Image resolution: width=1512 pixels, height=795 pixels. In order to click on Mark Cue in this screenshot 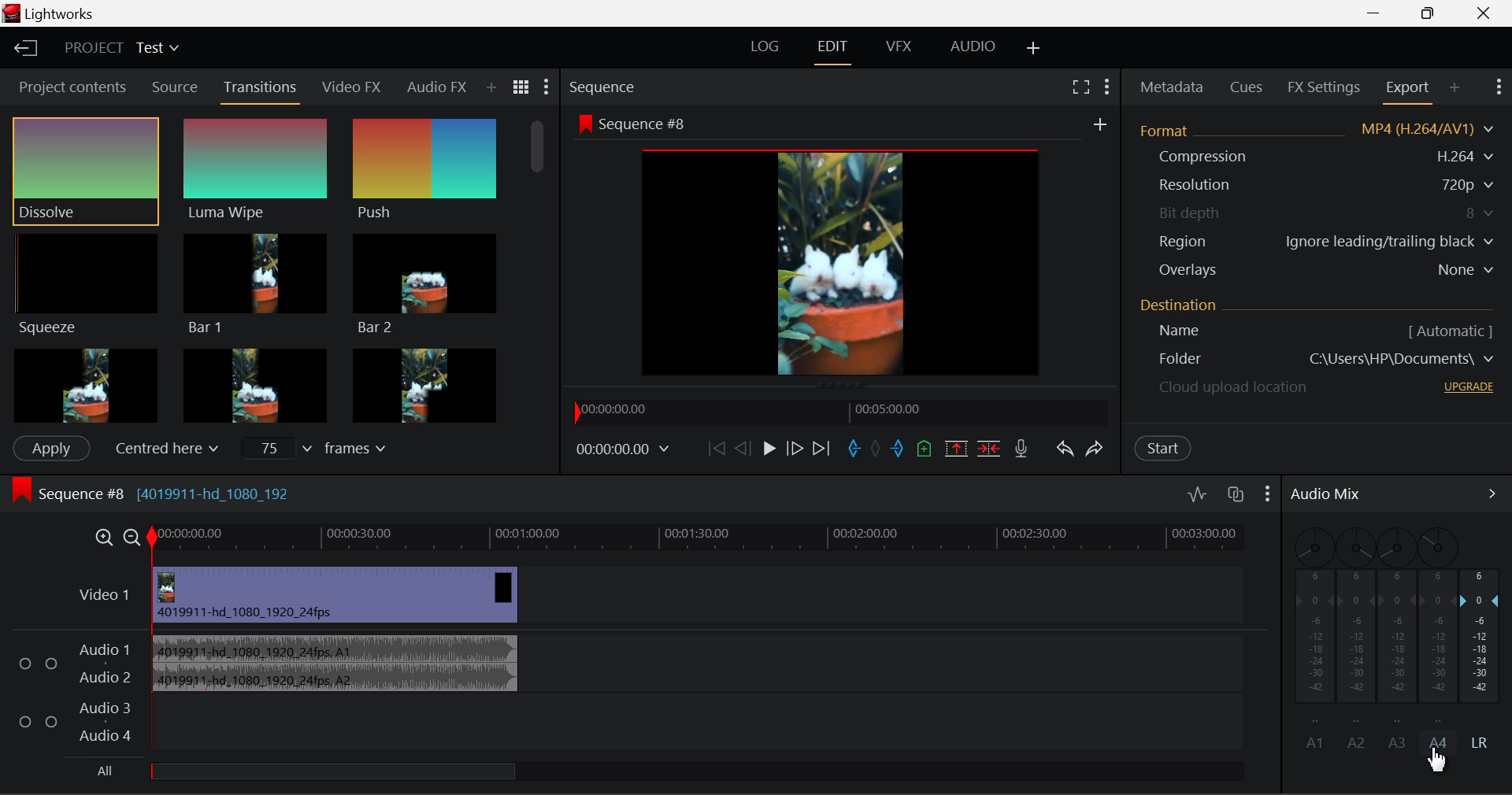, I will do `click(925, 448)`.